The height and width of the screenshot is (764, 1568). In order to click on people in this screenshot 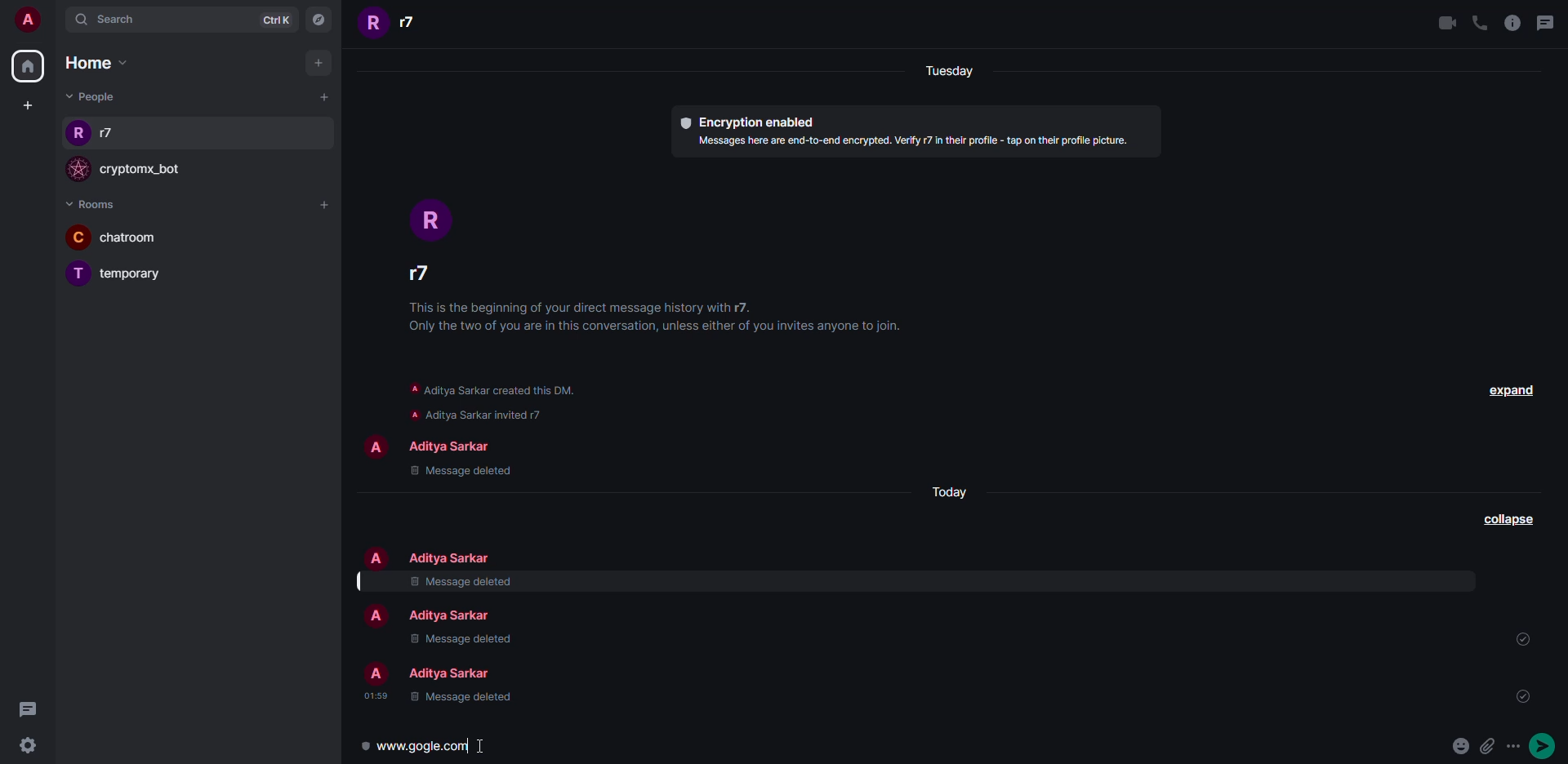, I will do `click(450, 445)`.